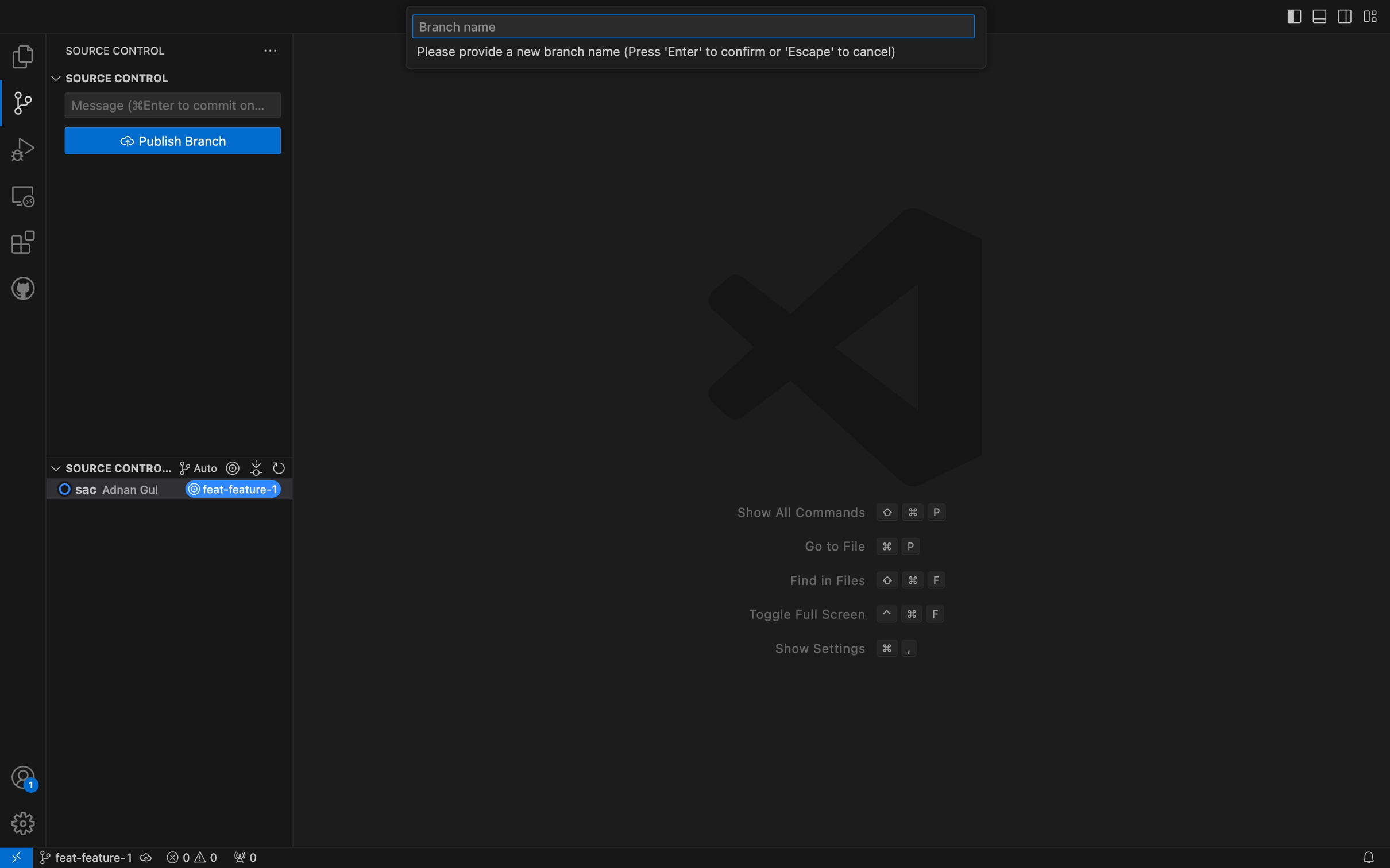  What do you see at coordinates (22, 241) in the screenshot?
I see `extensions` at bounding box center [22, 241].